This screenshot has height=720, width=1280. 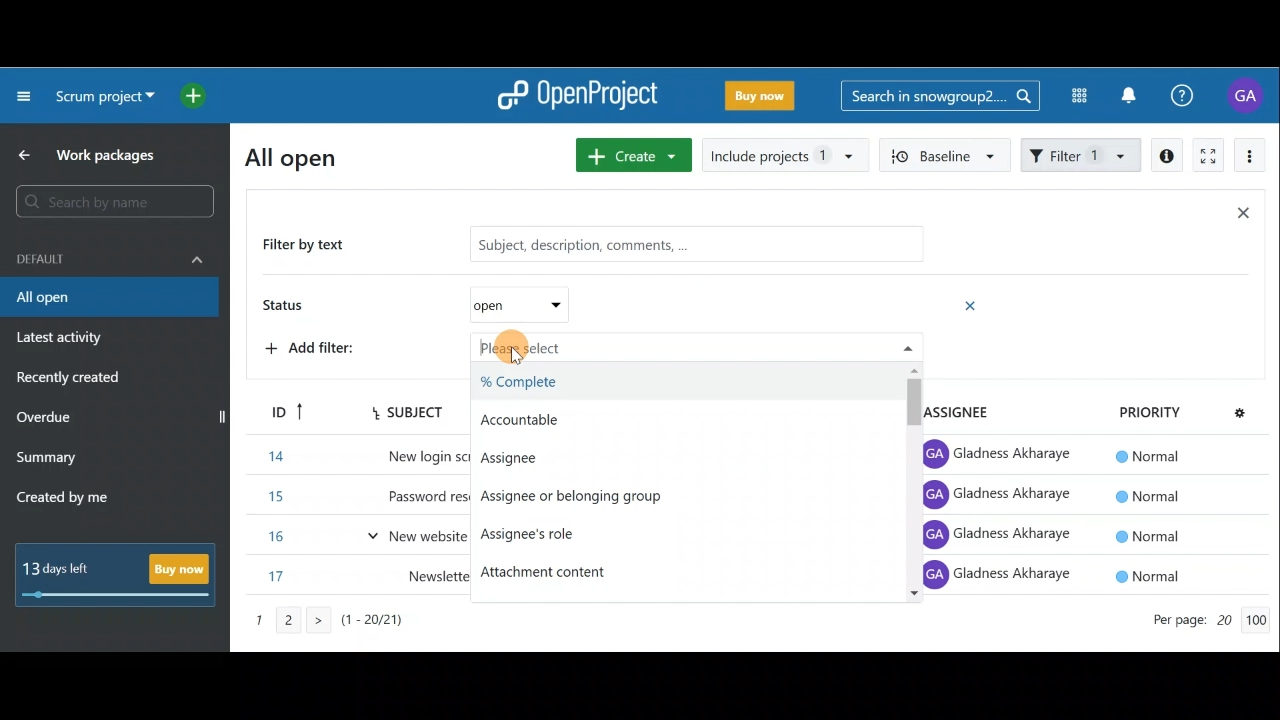 What do you see at coordinates (690, 380) in the screenshot?
I see `%Complete` at bounding box center [690, 380].